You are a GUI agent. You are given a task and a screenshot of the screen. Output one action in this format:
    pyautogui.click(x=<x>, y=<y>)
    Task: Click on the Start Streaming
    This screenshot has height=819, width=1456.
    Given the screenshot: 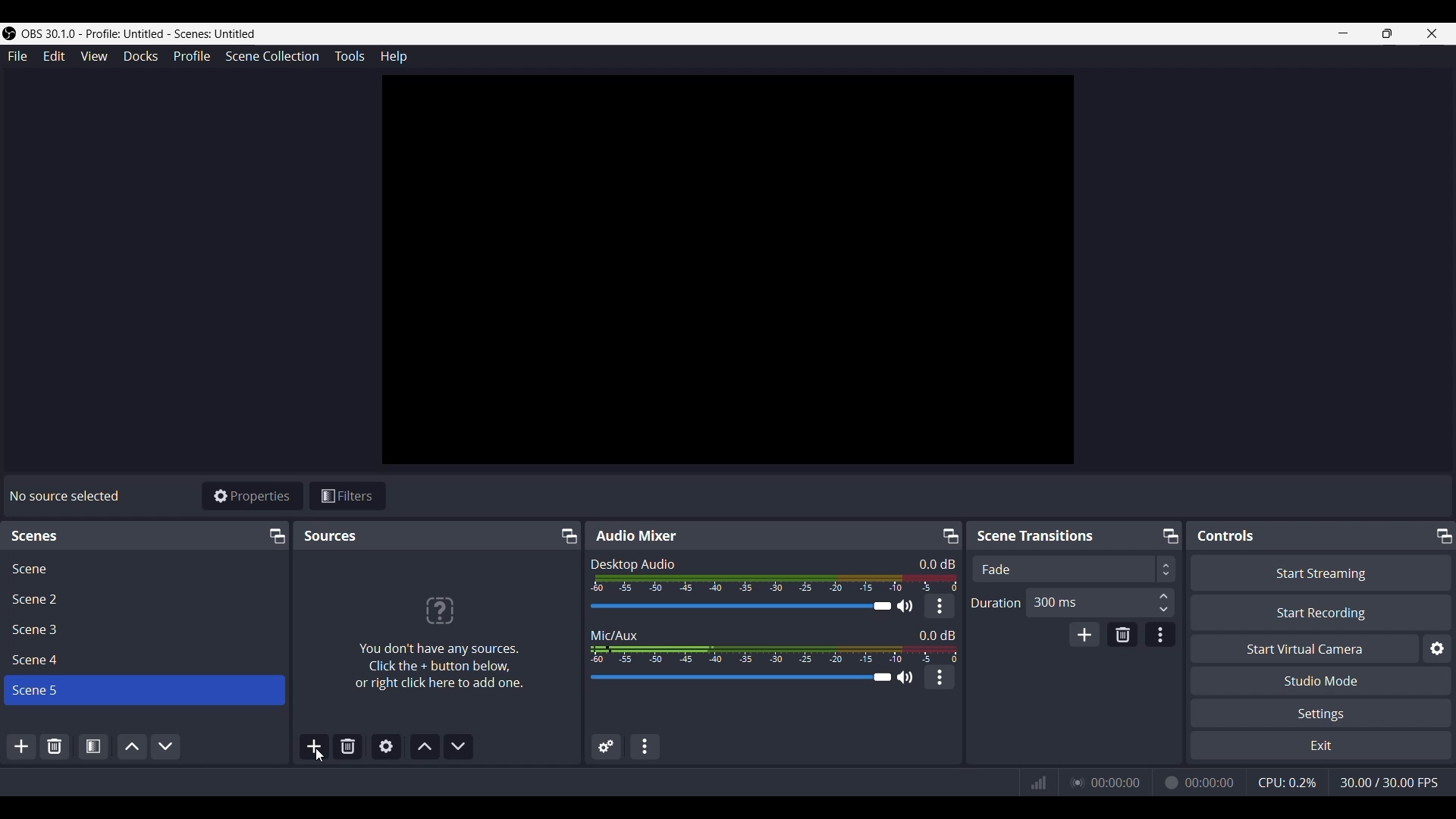 What is the action you would take?
    pyautogui.click(x=1319, y=571)
    